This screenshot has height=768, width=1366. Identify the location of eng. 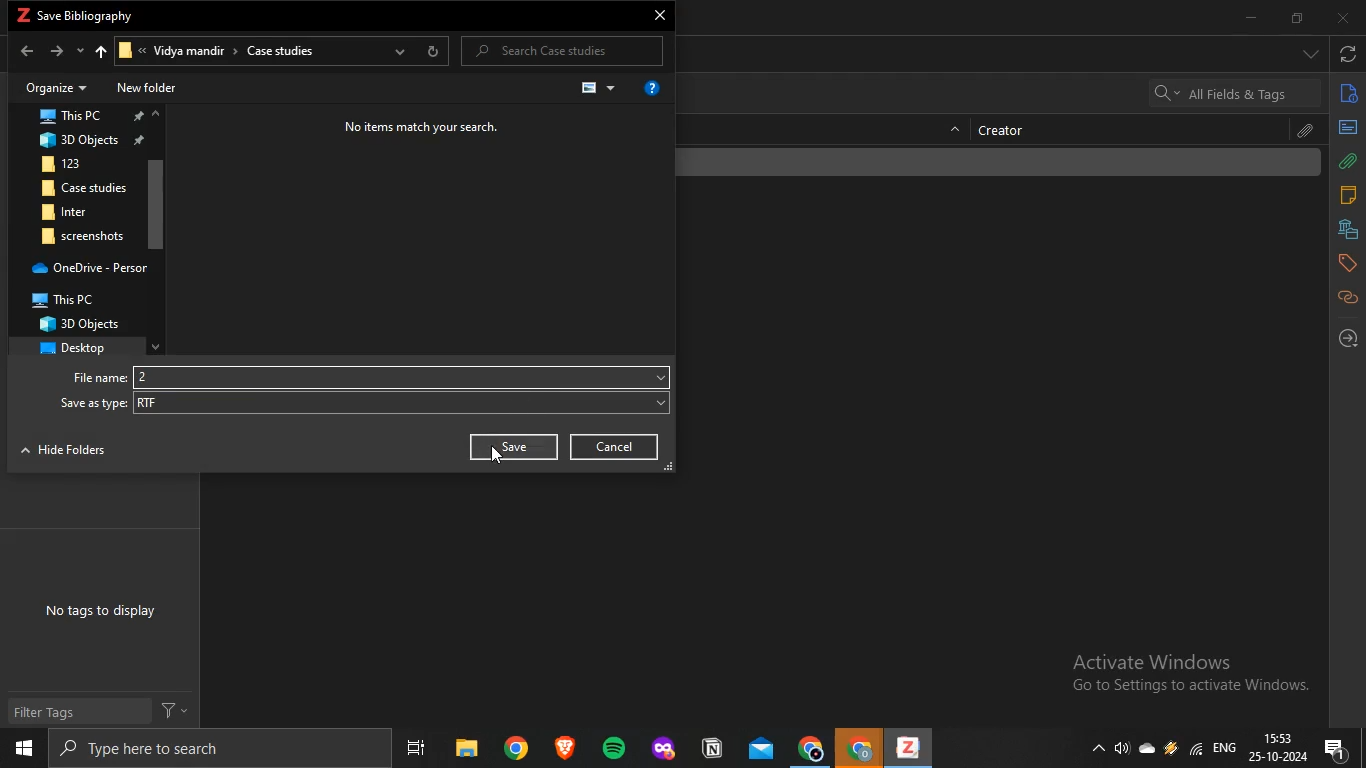
(1227, 745).